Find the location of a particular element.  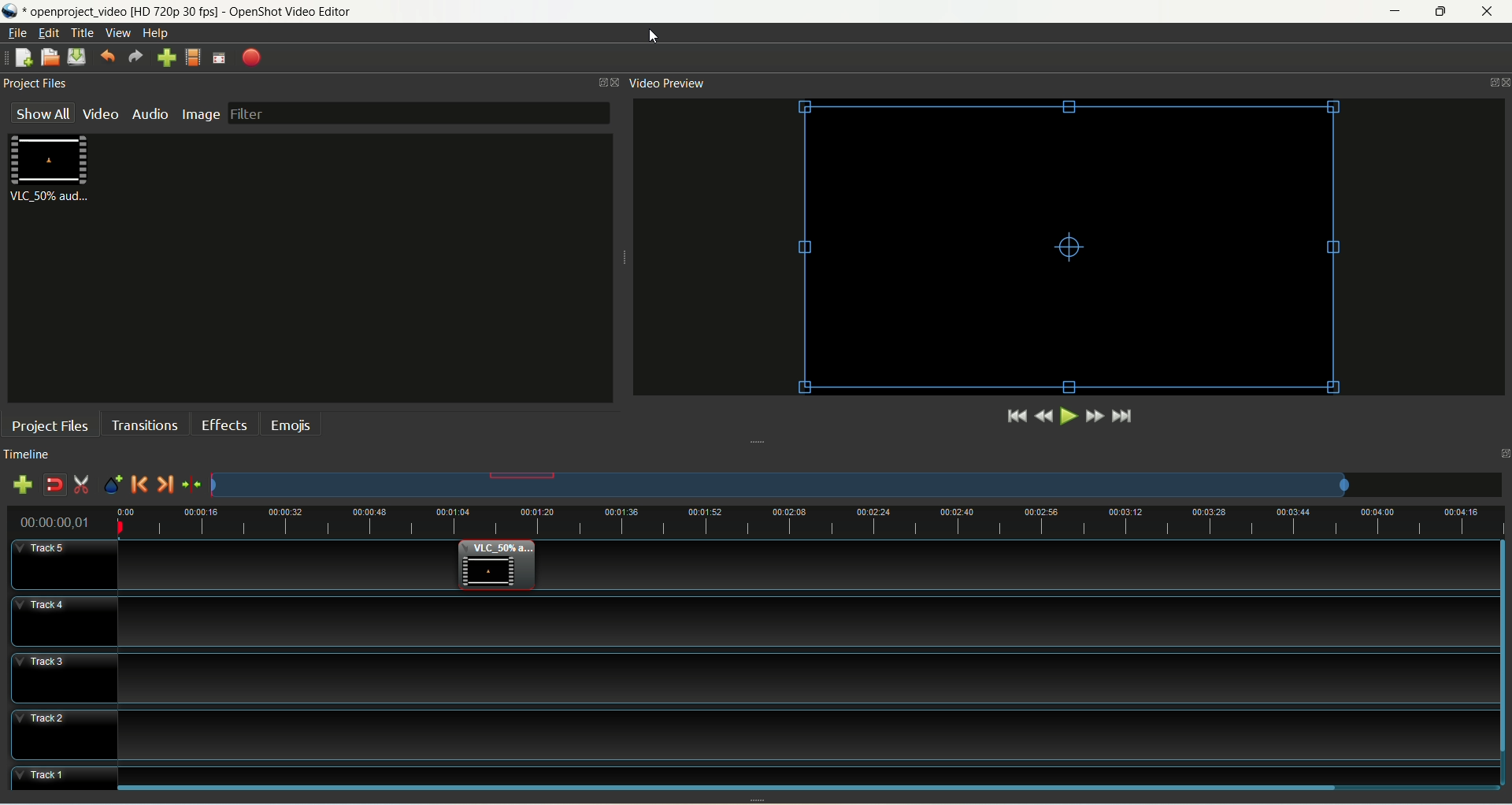

play is located at coordinates (1067, 416).